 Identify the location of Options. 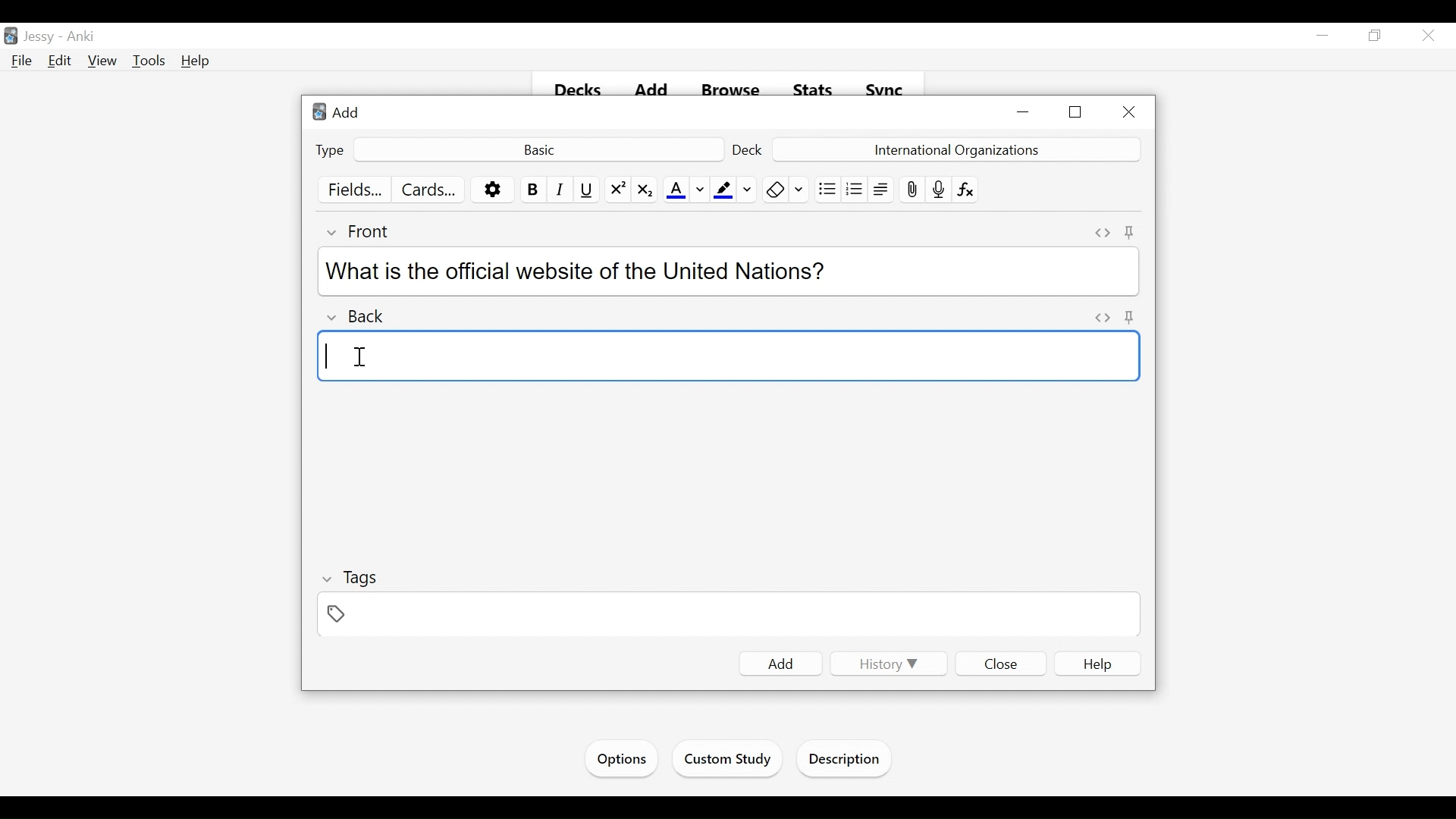
(622, 759).